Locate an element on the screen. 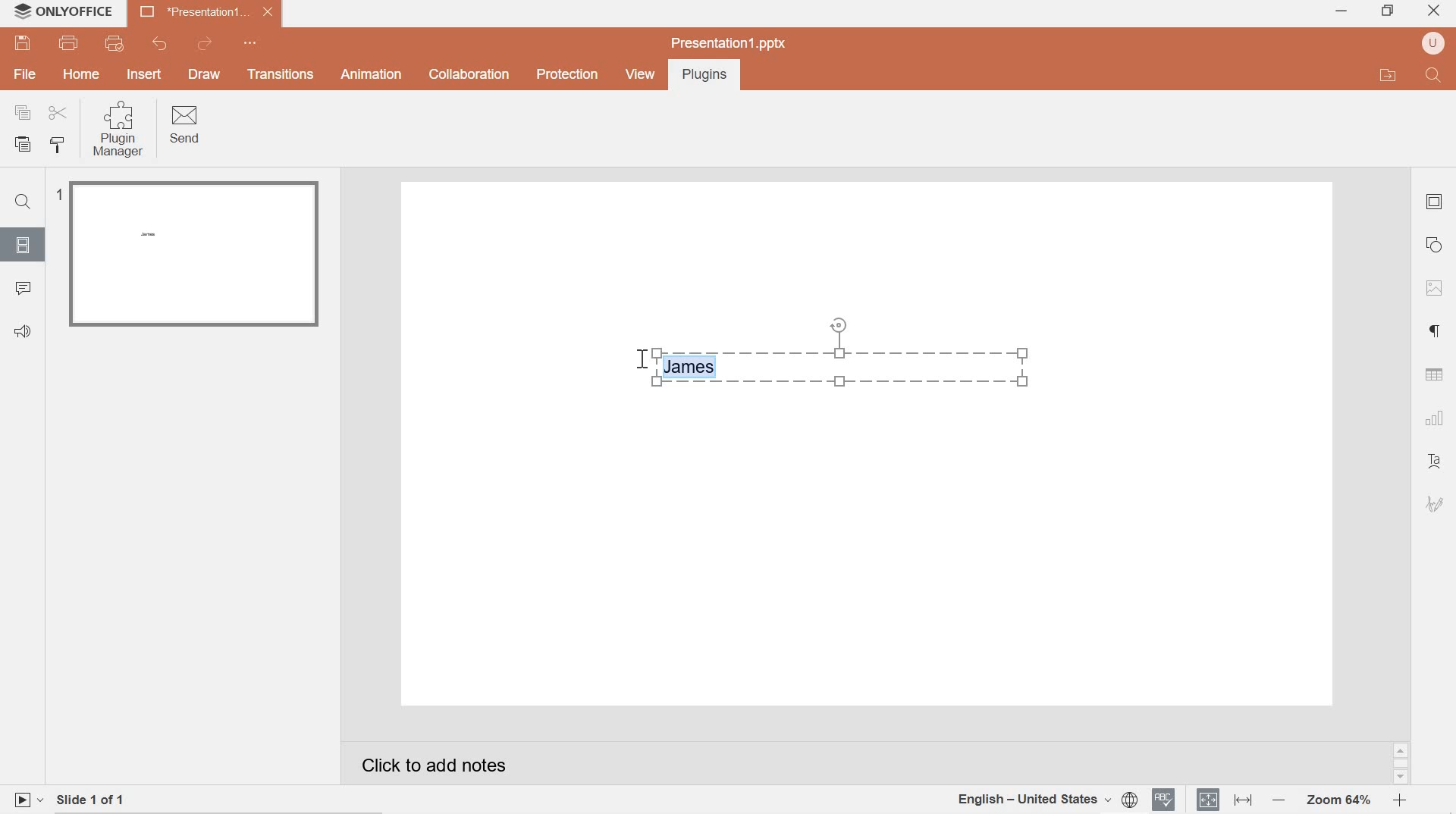 The height and width of the screenshot is (814, 1456). play slide is located at coordinates (27, 799).